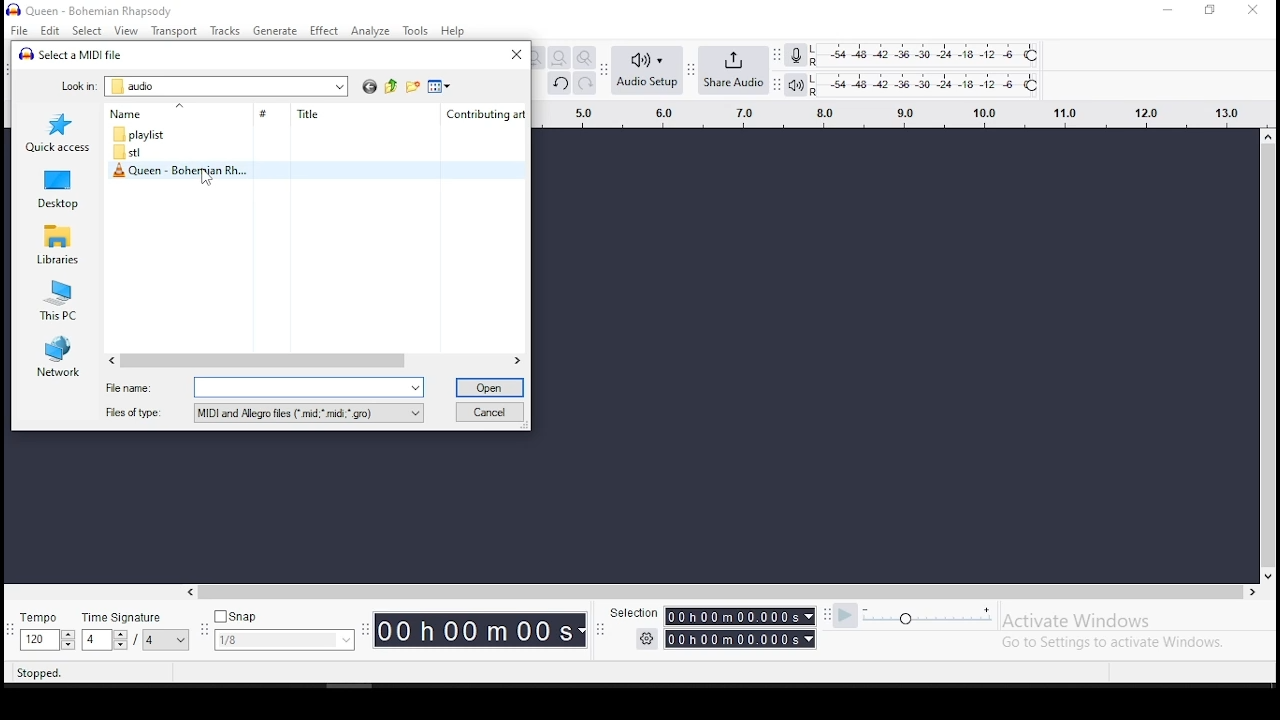 The height and width of the screenshot is (720, 1280). Describe the element at coordinates (483, 114) in the screenshot. I see `Contributing art` at that location.